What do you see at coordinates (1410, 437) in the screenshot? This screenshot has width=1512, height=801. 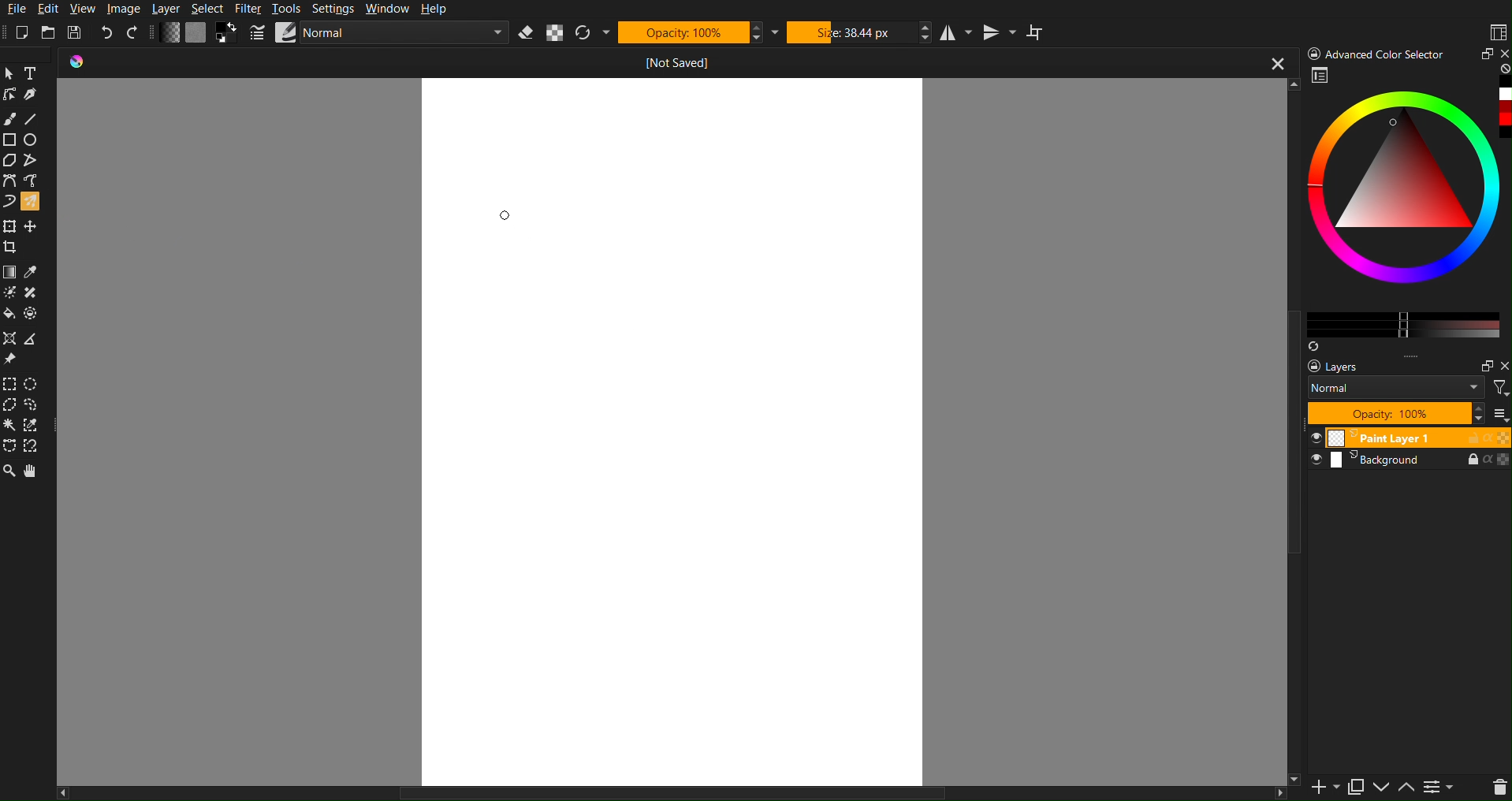 I see `Paint Layer 1` at bounding box center [1410, 437].